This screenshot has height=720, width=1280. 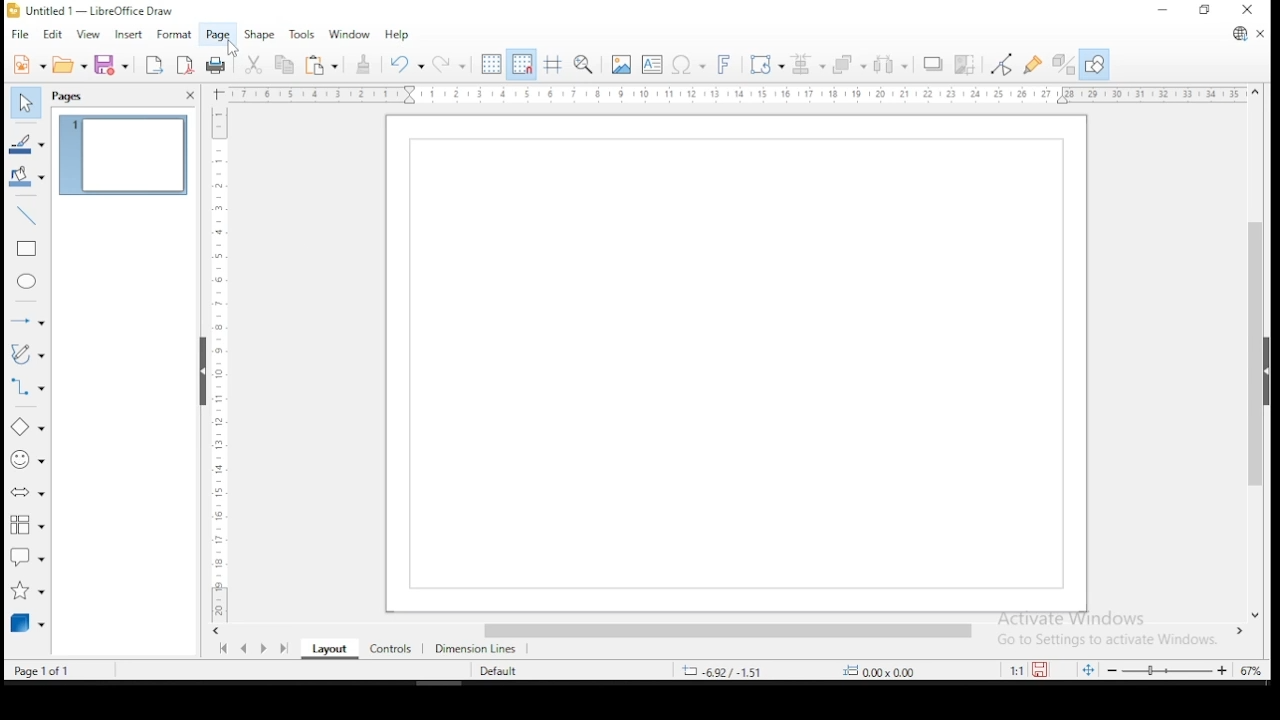 I want to click on first page, so click(x=223, y=649).